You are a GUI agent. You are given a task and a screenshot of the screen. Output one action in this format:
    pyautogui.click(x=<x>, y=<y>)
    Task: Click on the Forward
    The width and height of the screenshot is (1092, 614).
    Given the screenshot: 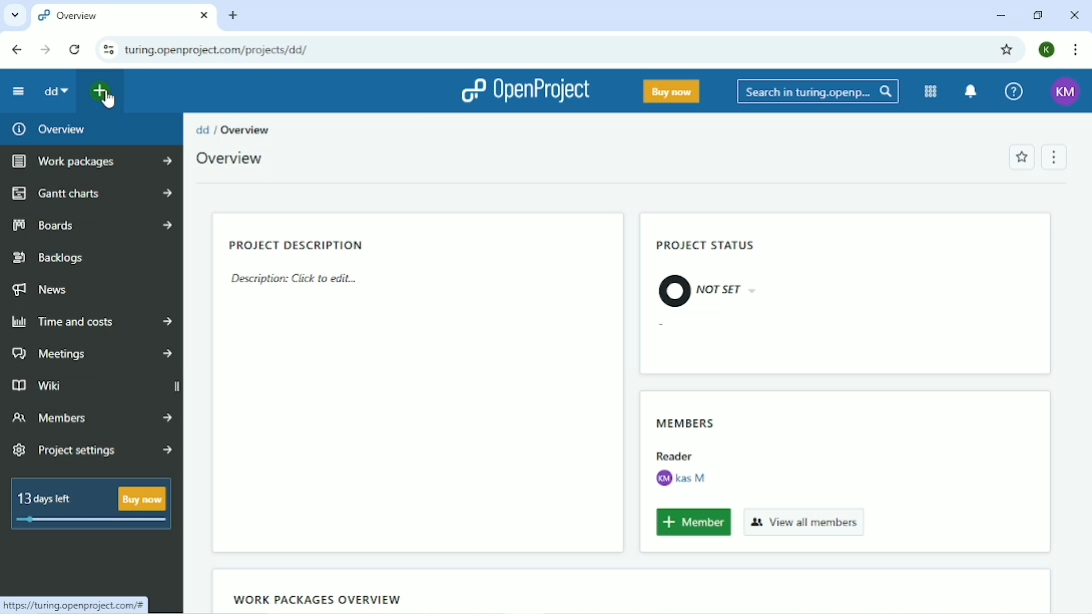 What is the action you would take?
    pyautogui.click(x=45, y=49)
    